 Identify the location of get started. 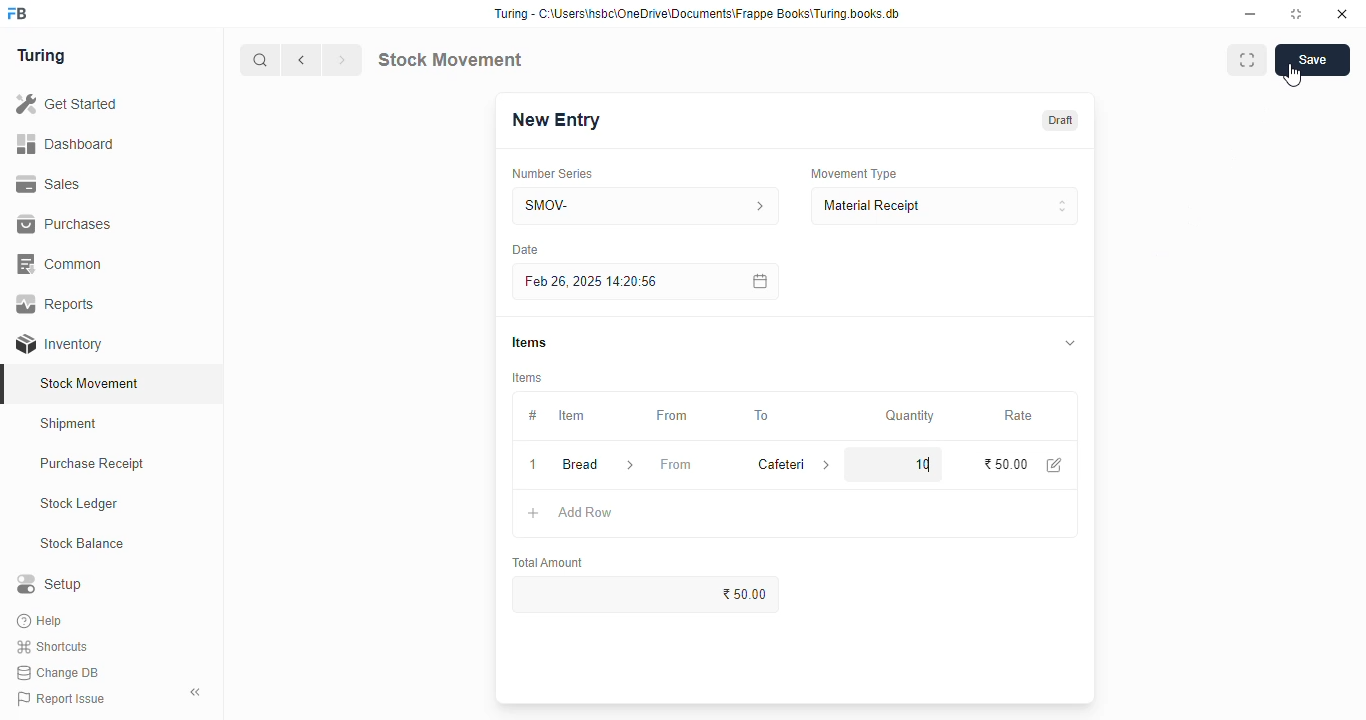
(68, 104).